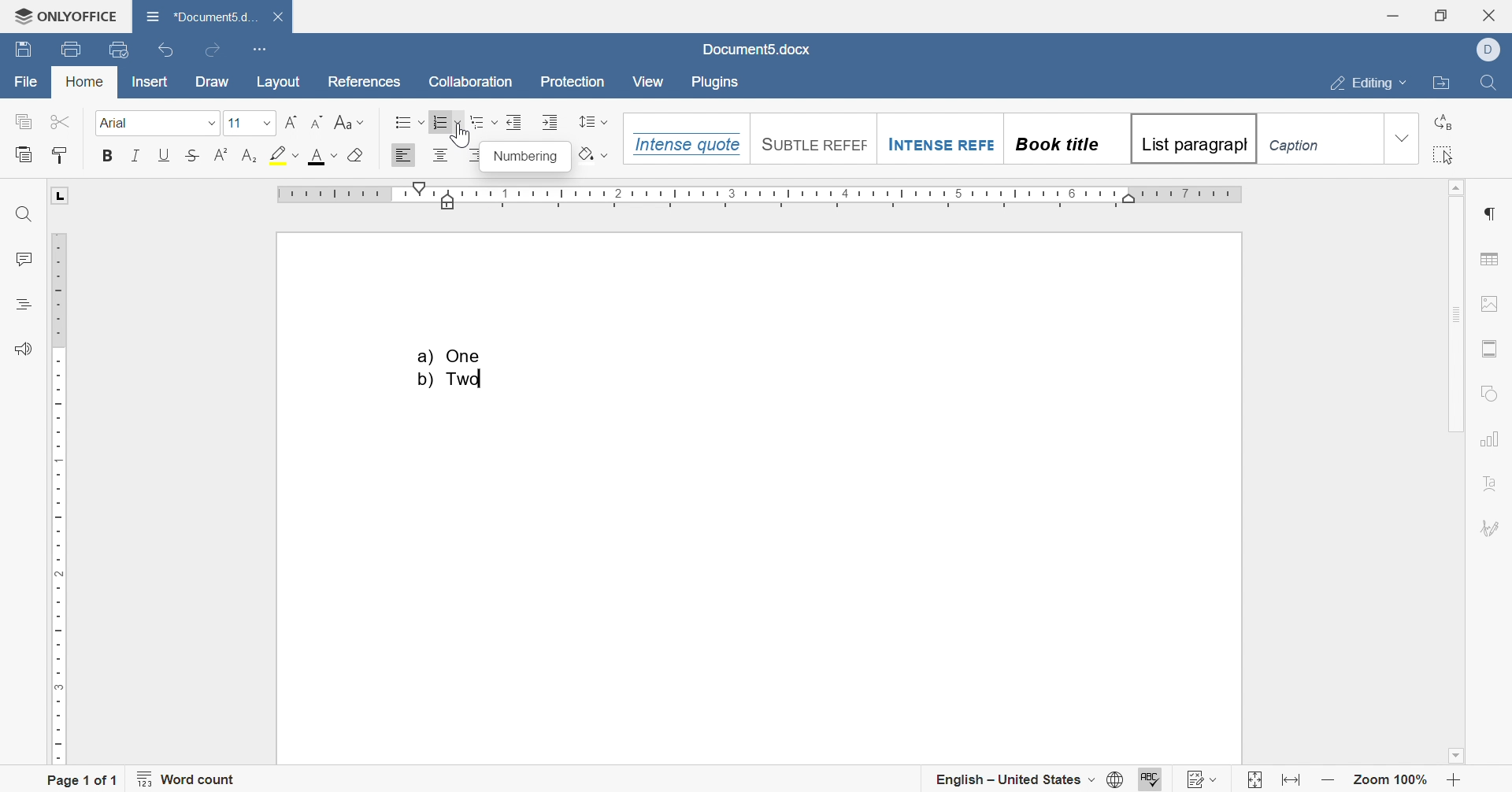 Image resolution: width=1512 pixels, height=792 pixels. What do you see at coordinates (1439, 14) in the screenshot?
I see `restore down` at bounding box center [1439, 14].